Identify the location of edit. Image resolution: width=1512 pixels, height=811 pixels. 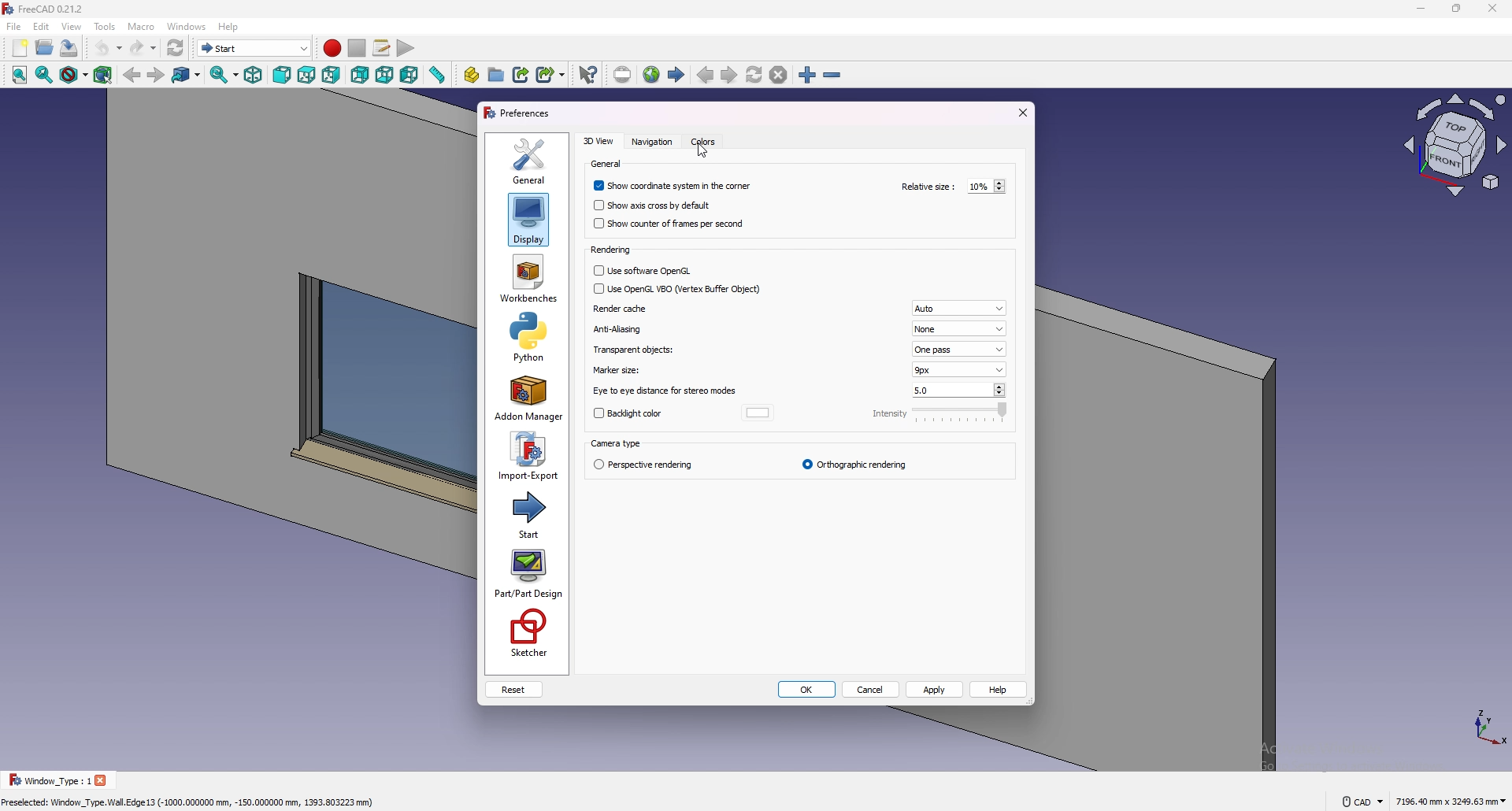
(42, 26).